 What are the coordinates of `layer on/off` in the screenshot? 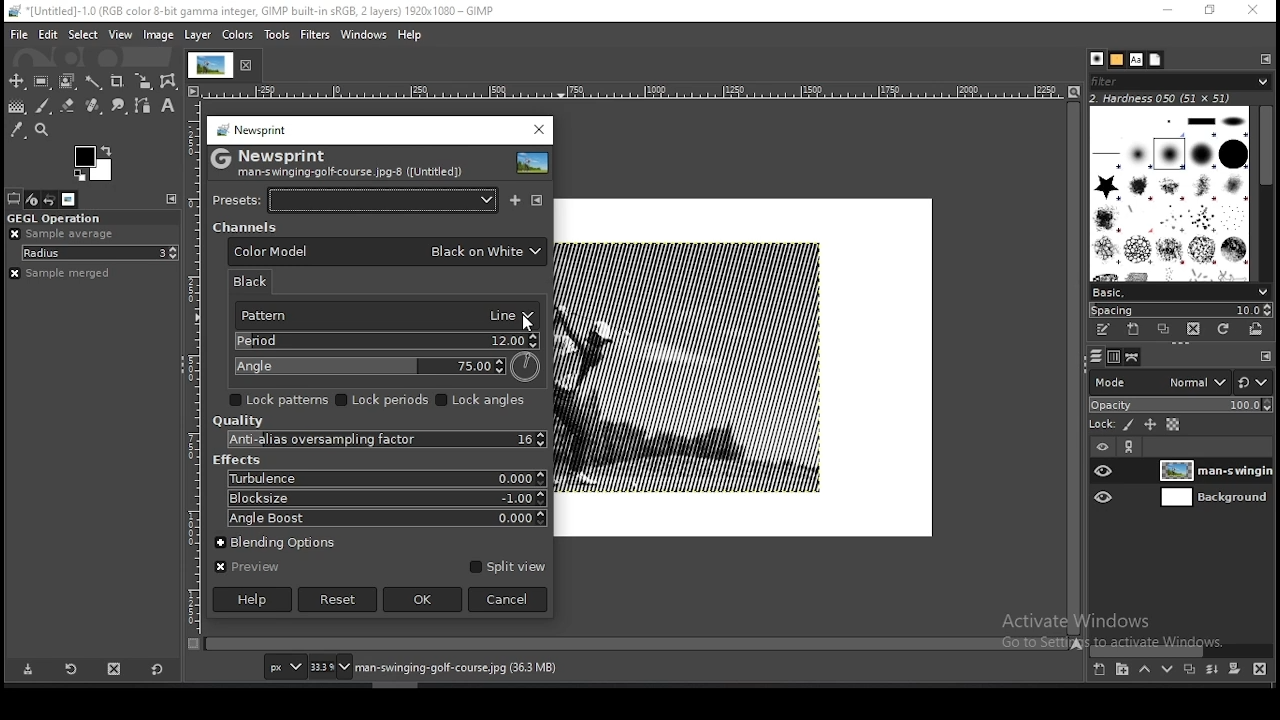 It's located at (1103, 445).